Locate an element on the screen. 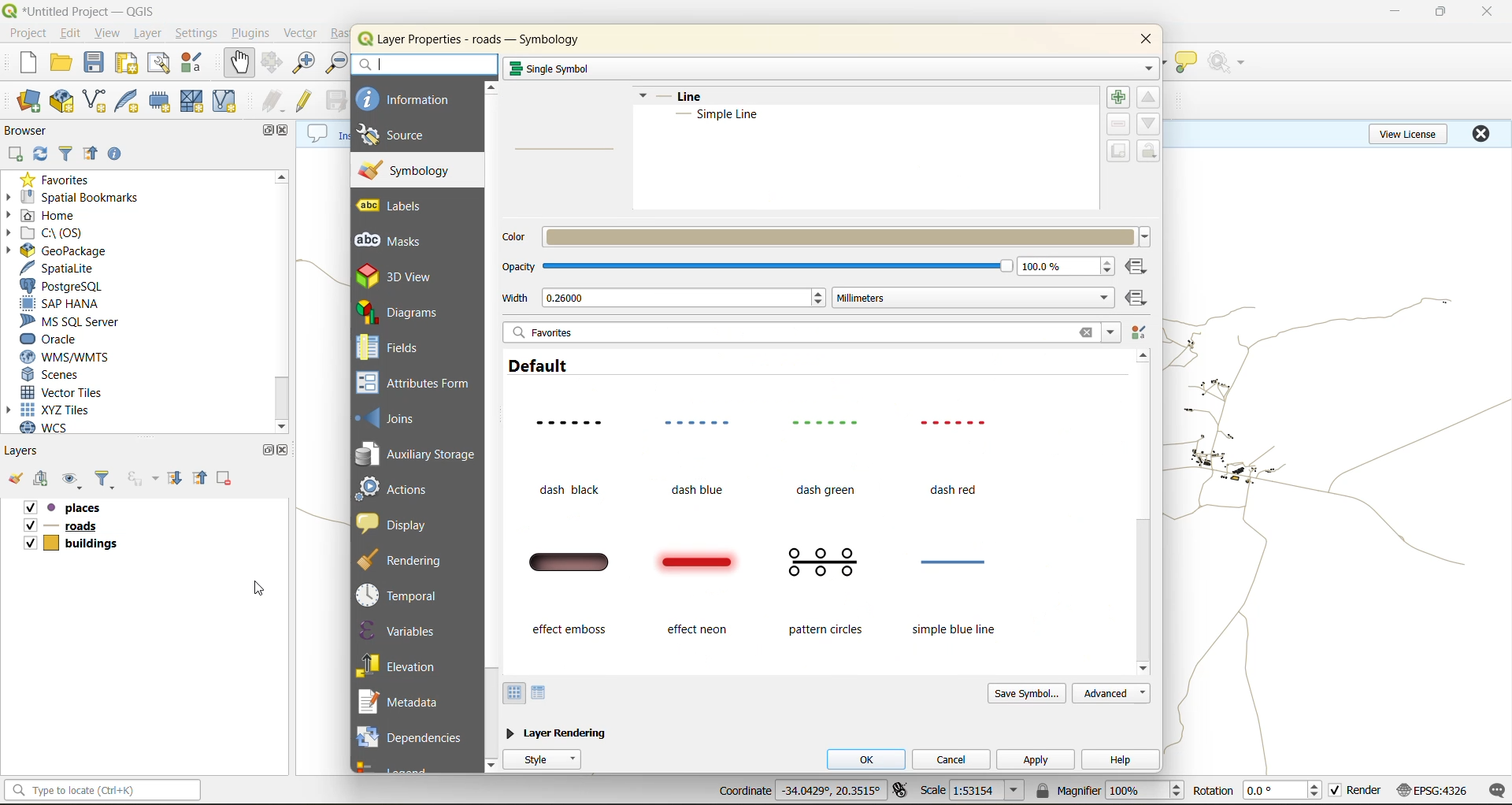 The image size is (1512, 805). simple blue line is located at coordinates (962, 589).